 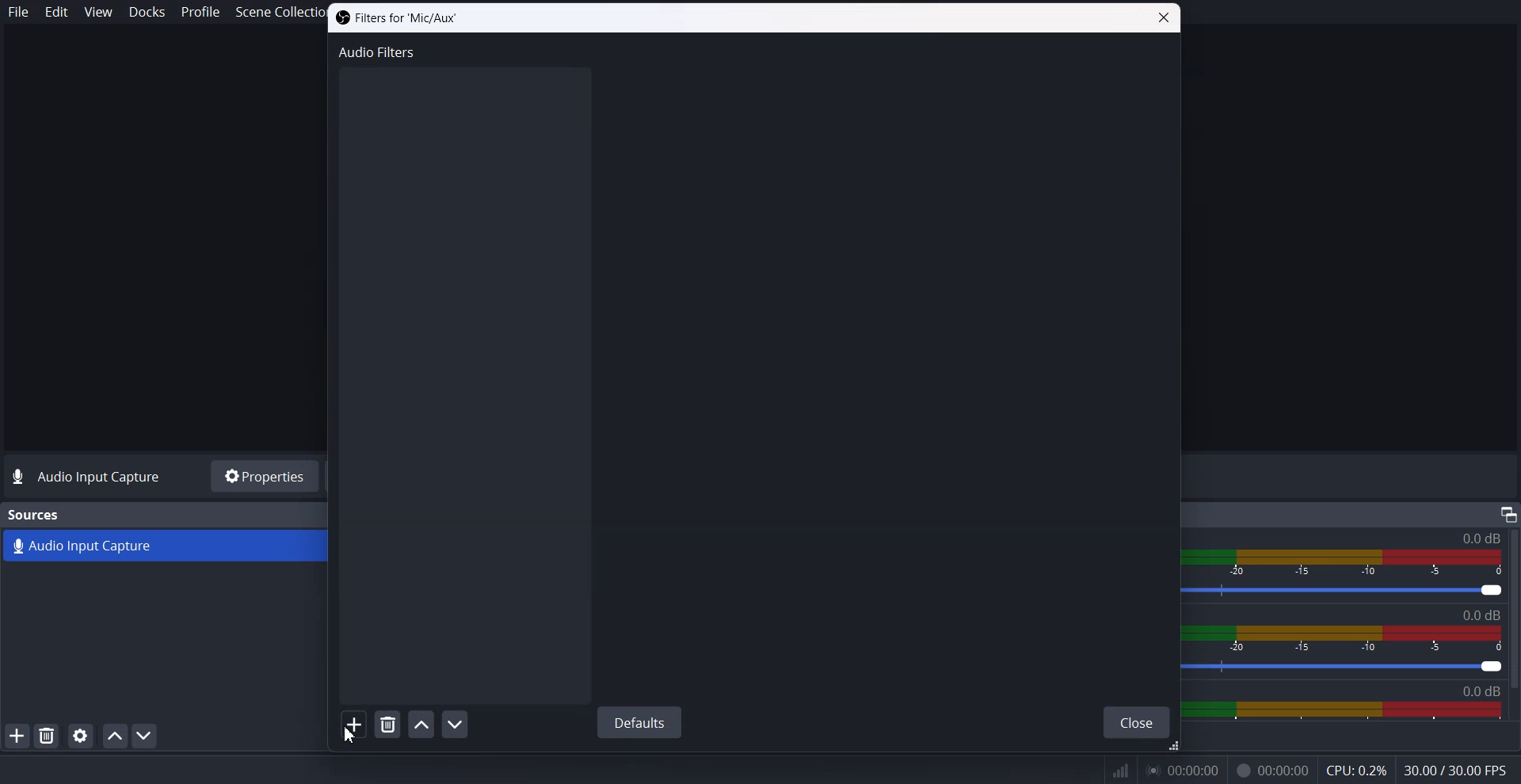 I want to click on Add Source, so click(x=17, y=735).